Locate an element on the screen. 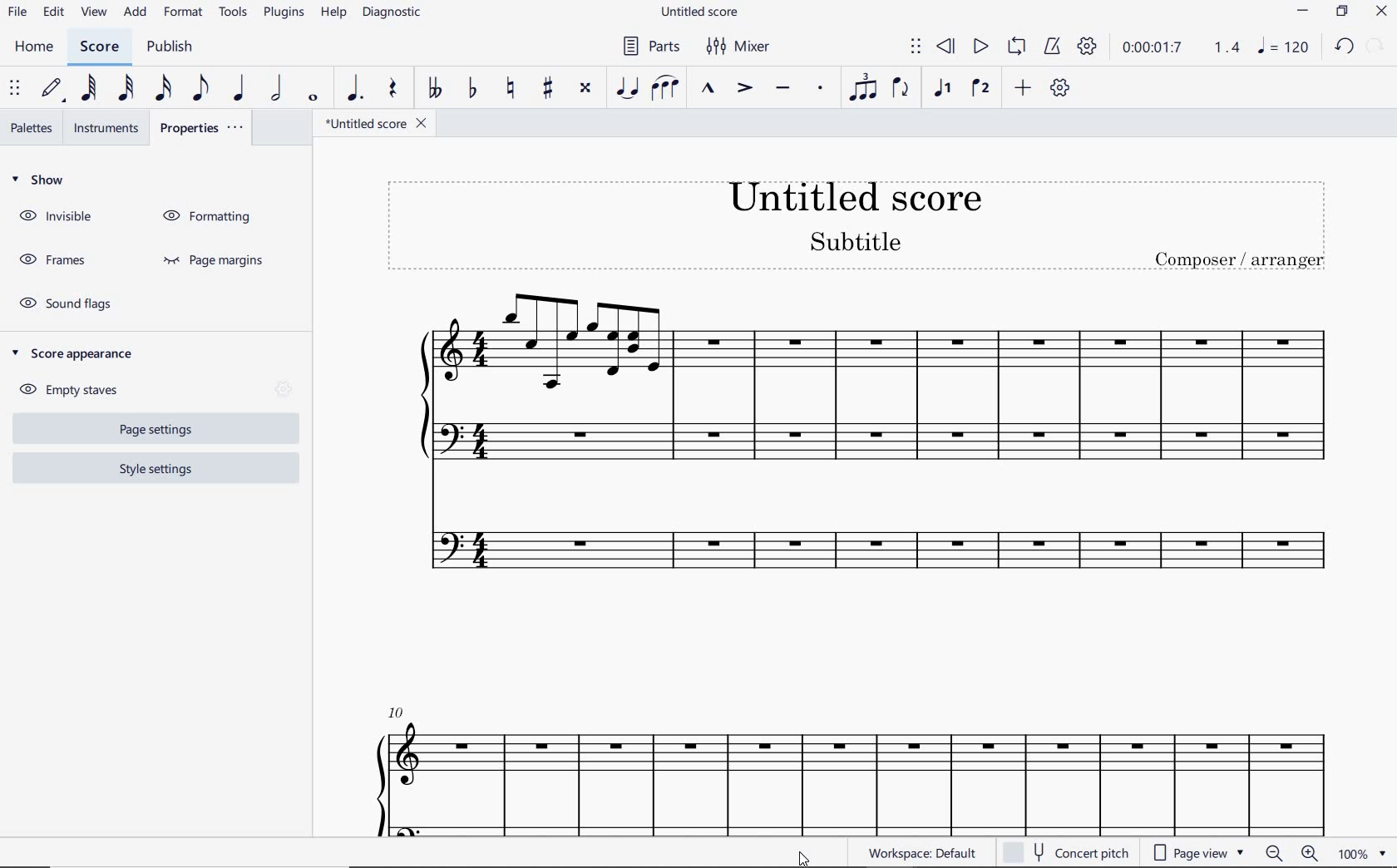 Image resolution: width=1397 pixels, height=868 pixels. HALF NOTE is located at coordinates (278, 87).